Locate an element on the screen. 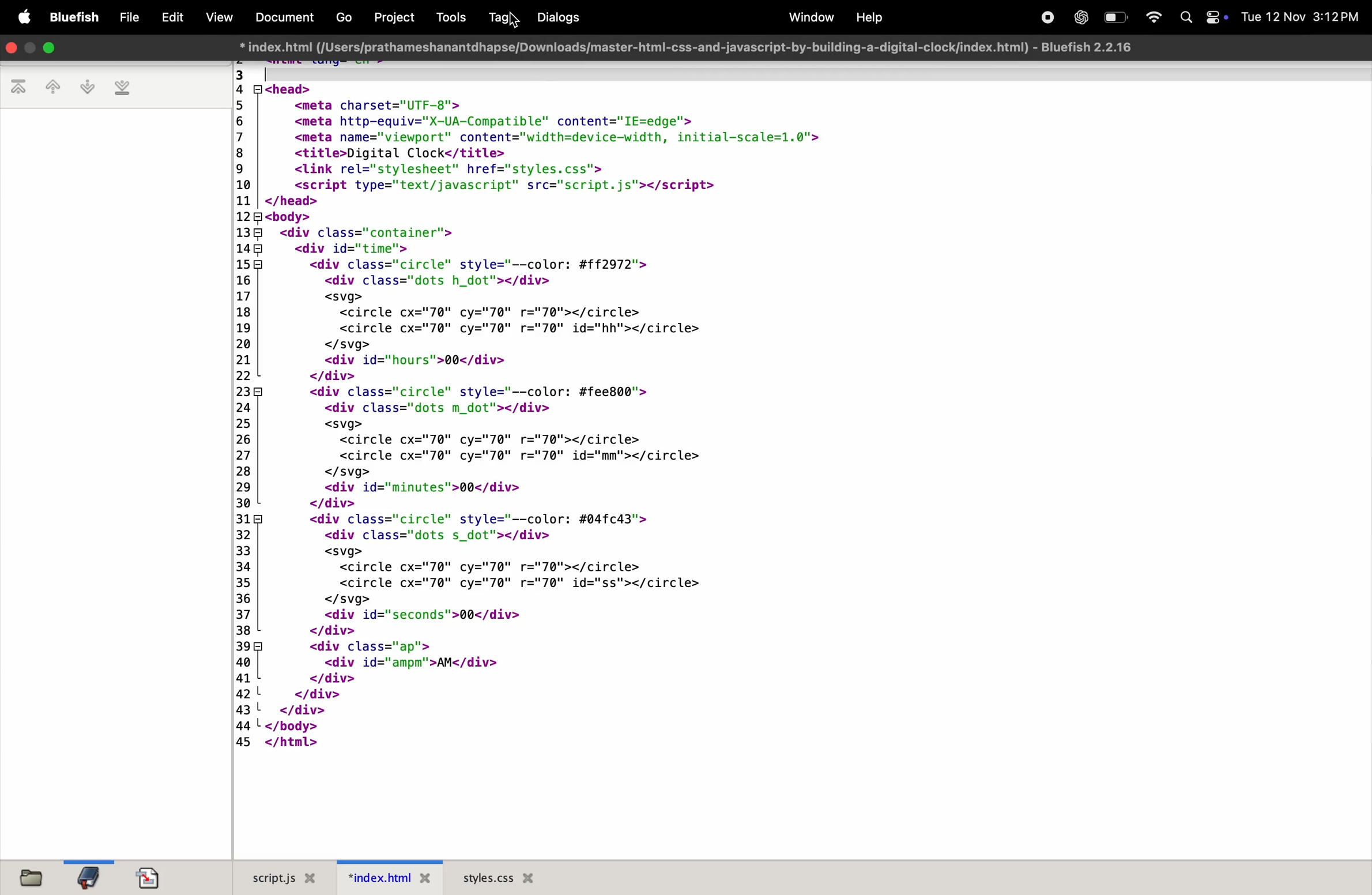 The image size is (1372, 895). document is located at coordinates (281, 16).